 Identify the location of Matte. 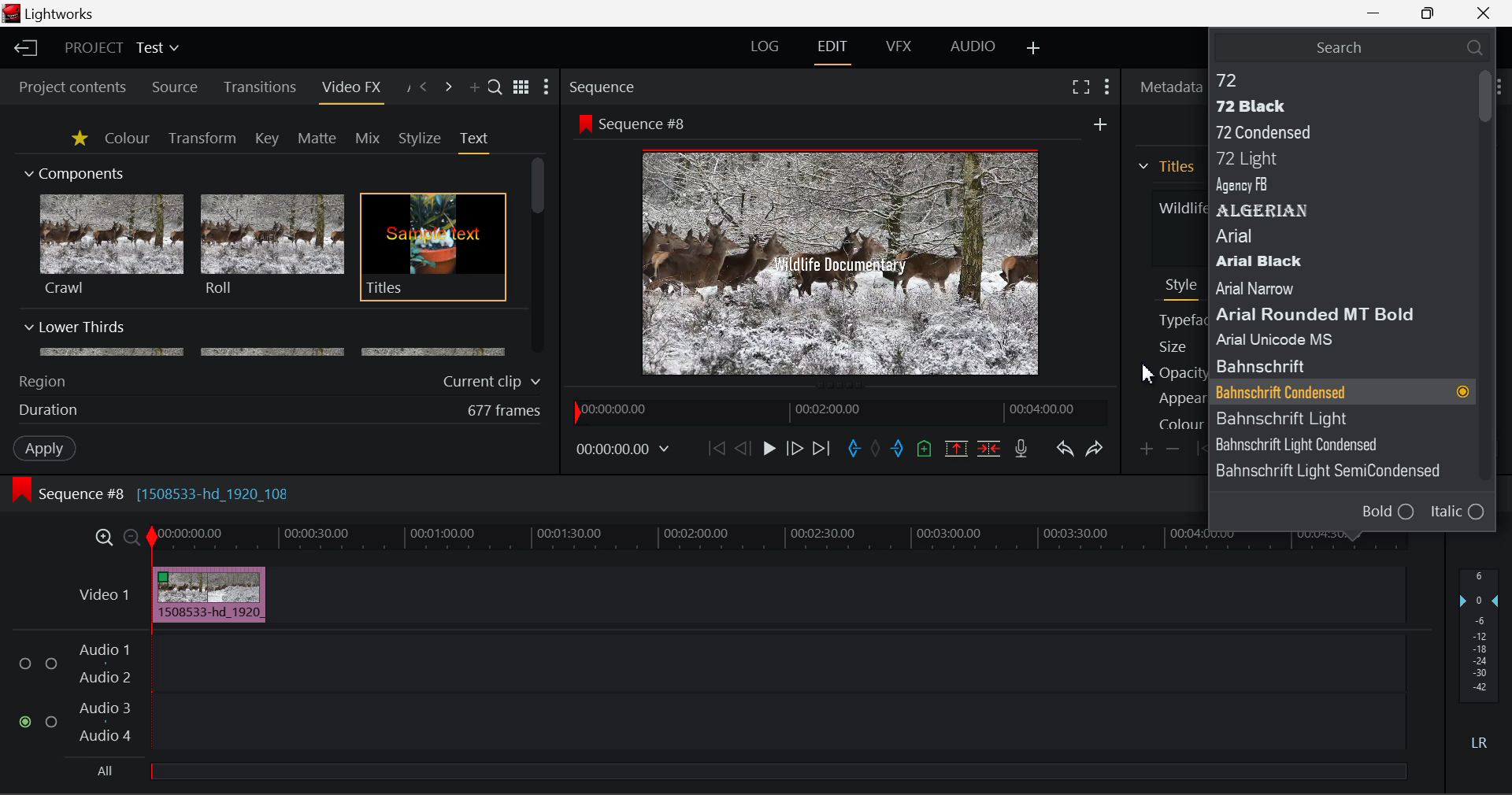
(316, 138).